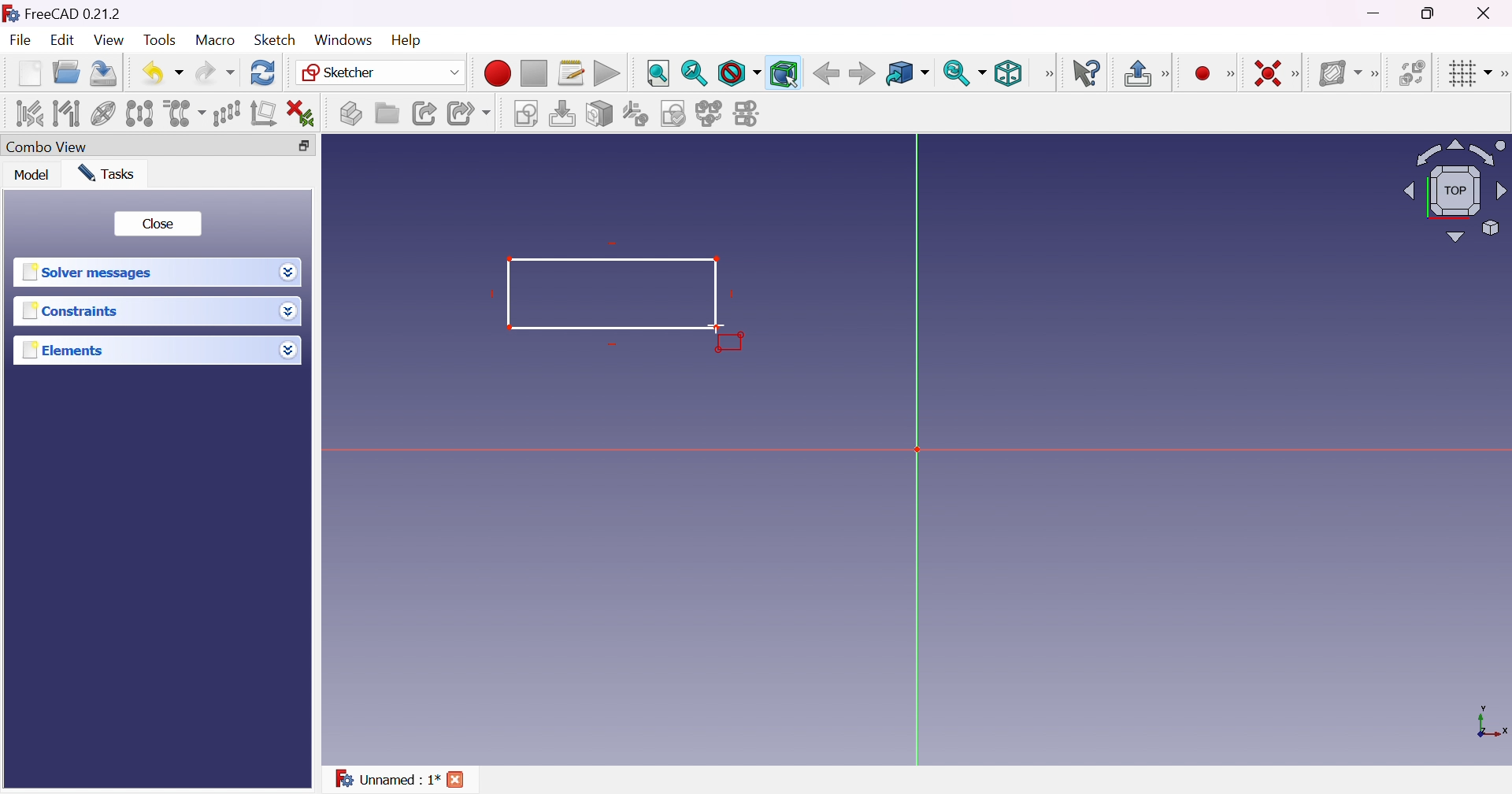 The width and height of the screenshot is (1512, 794). I want to click on Cursor, so click(716, 325).